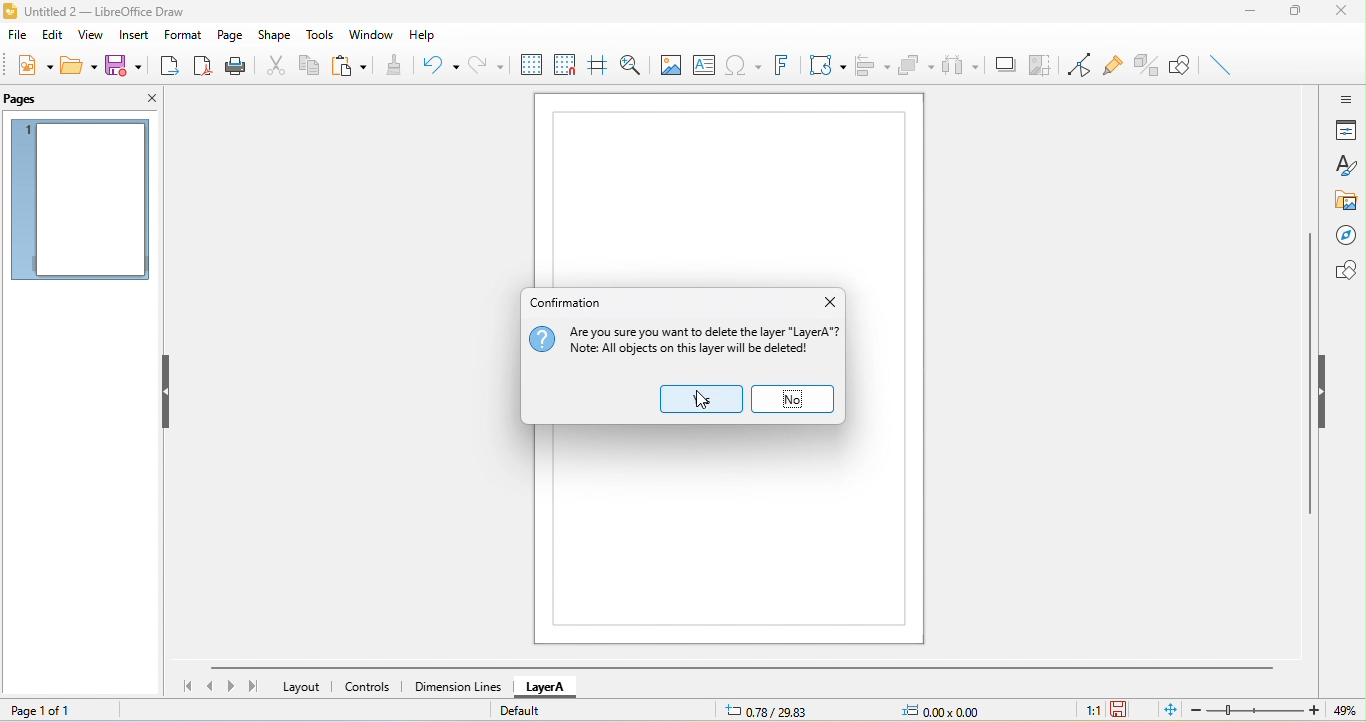  What do you see at coordinates (960, 62) in the screenshot?
I see `select at least three object to distribute` at bounding box center [960, 62].